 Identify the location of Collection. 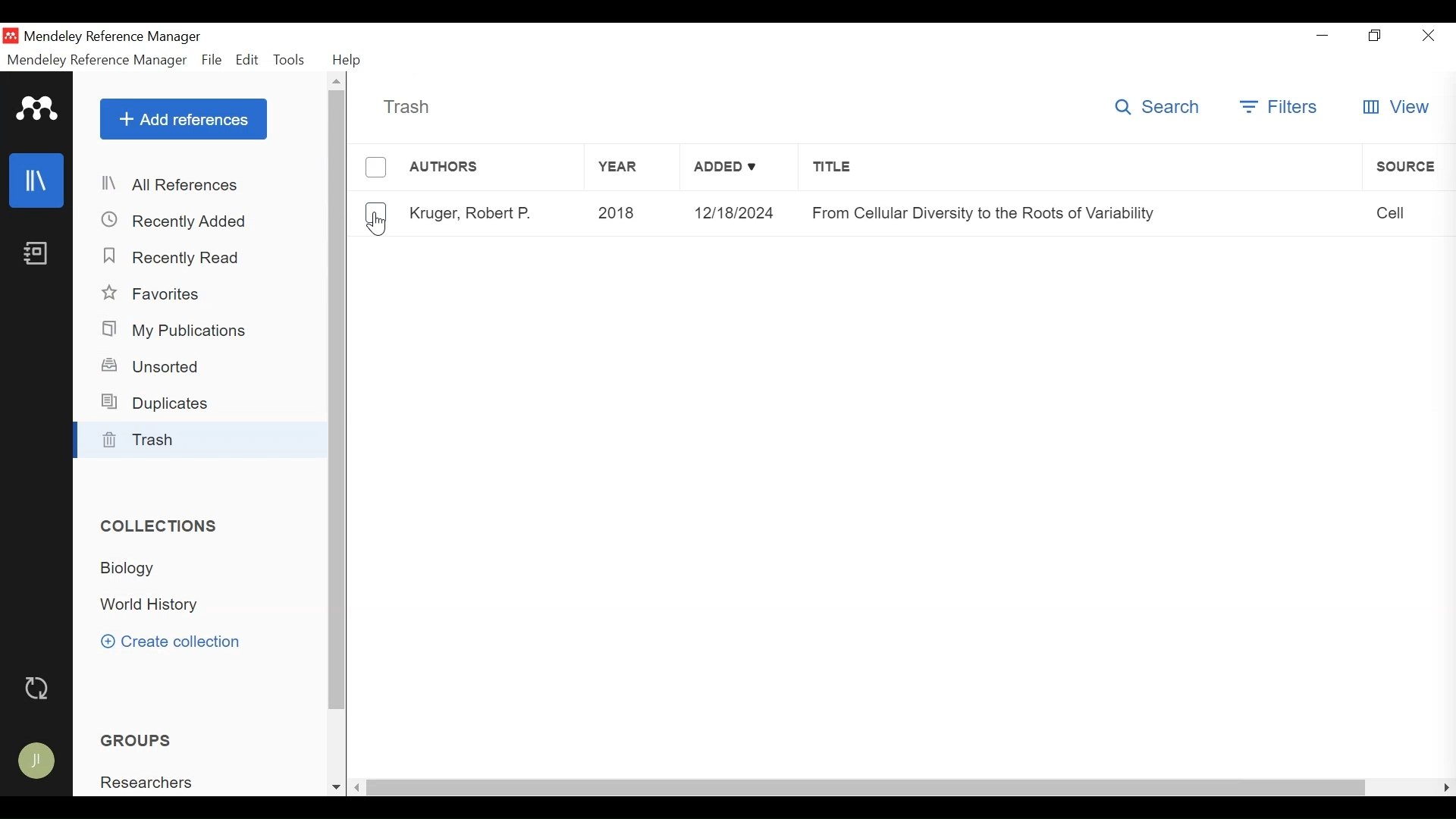
(137, 568).